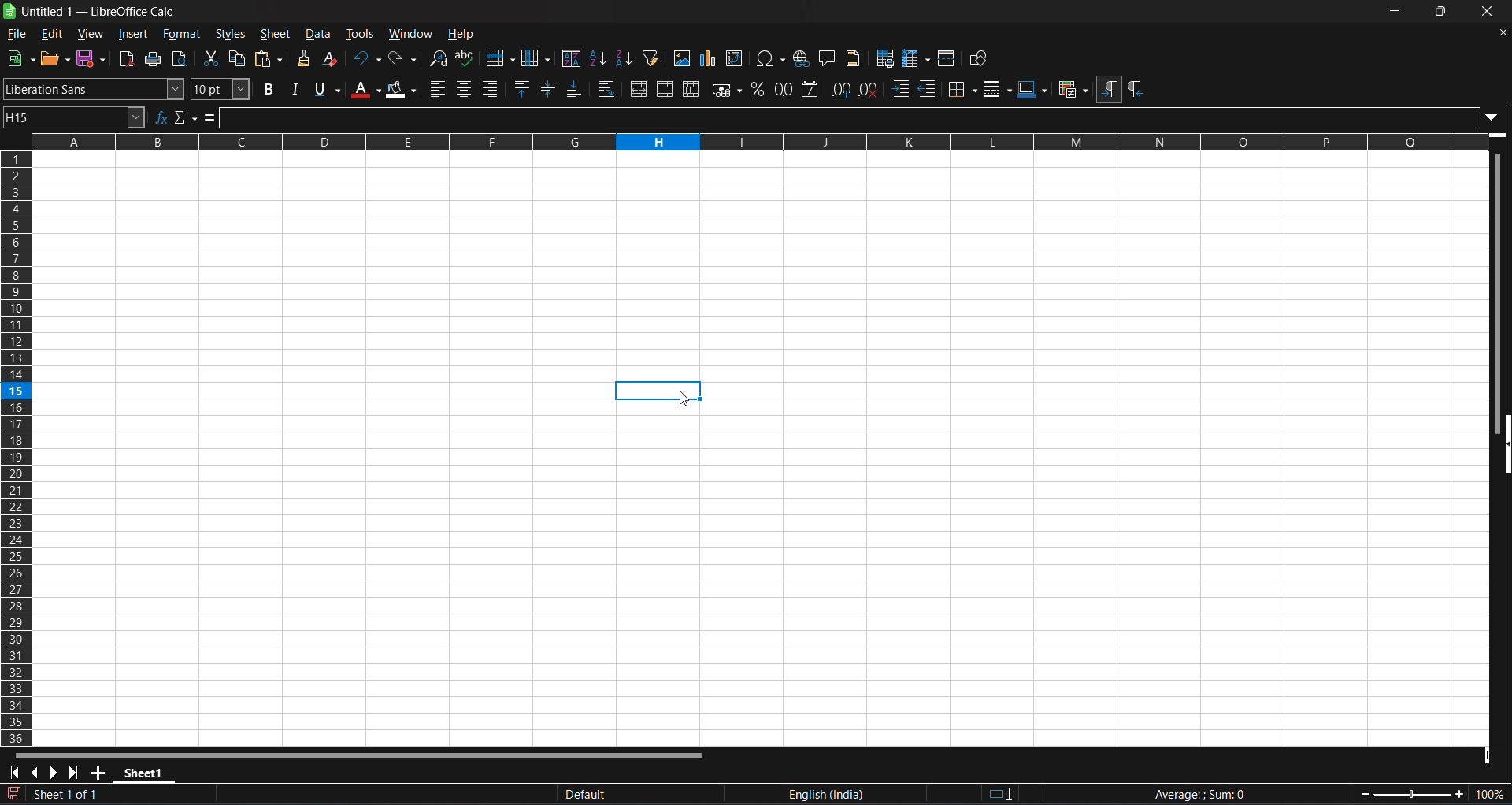 The height and width of the screenshot is (805, 1512). I want to click on merge cells, so click(666, 90).